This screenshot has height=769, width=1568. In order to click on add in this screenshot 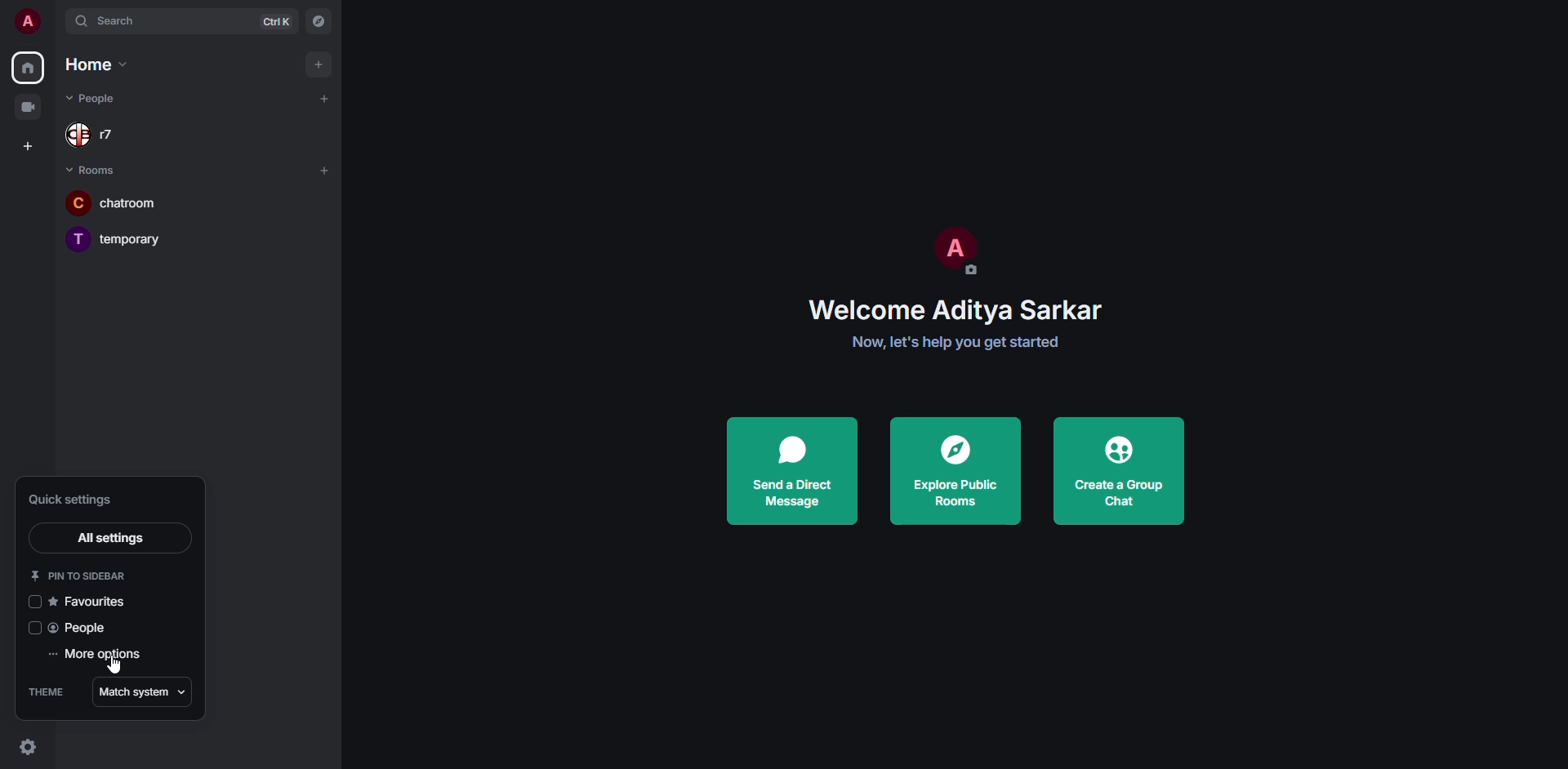, I will do `click(324, 98)`.